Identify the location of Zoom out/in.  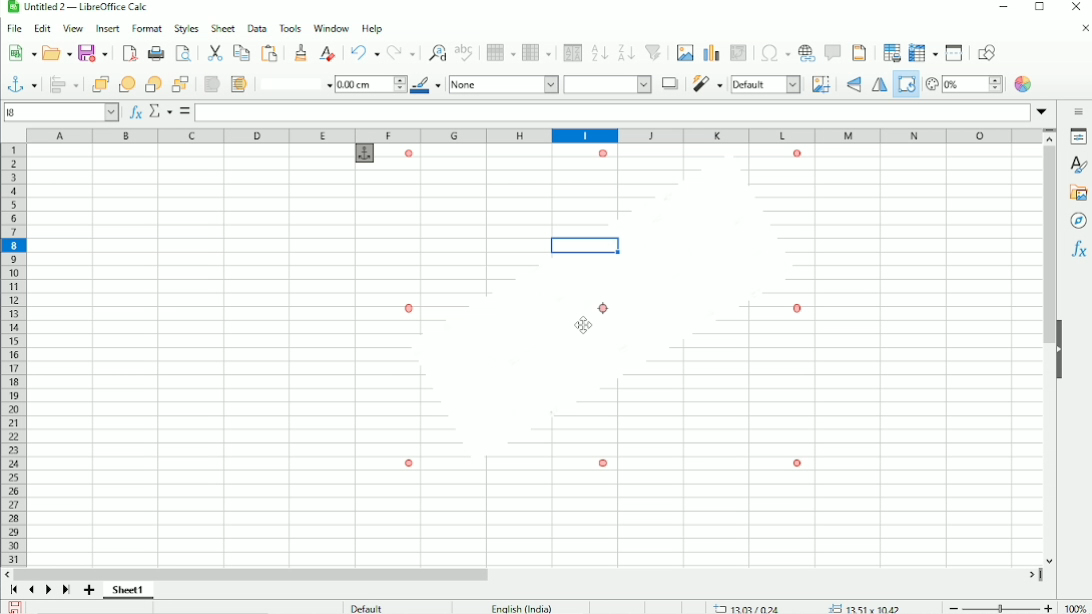
(998, 605).